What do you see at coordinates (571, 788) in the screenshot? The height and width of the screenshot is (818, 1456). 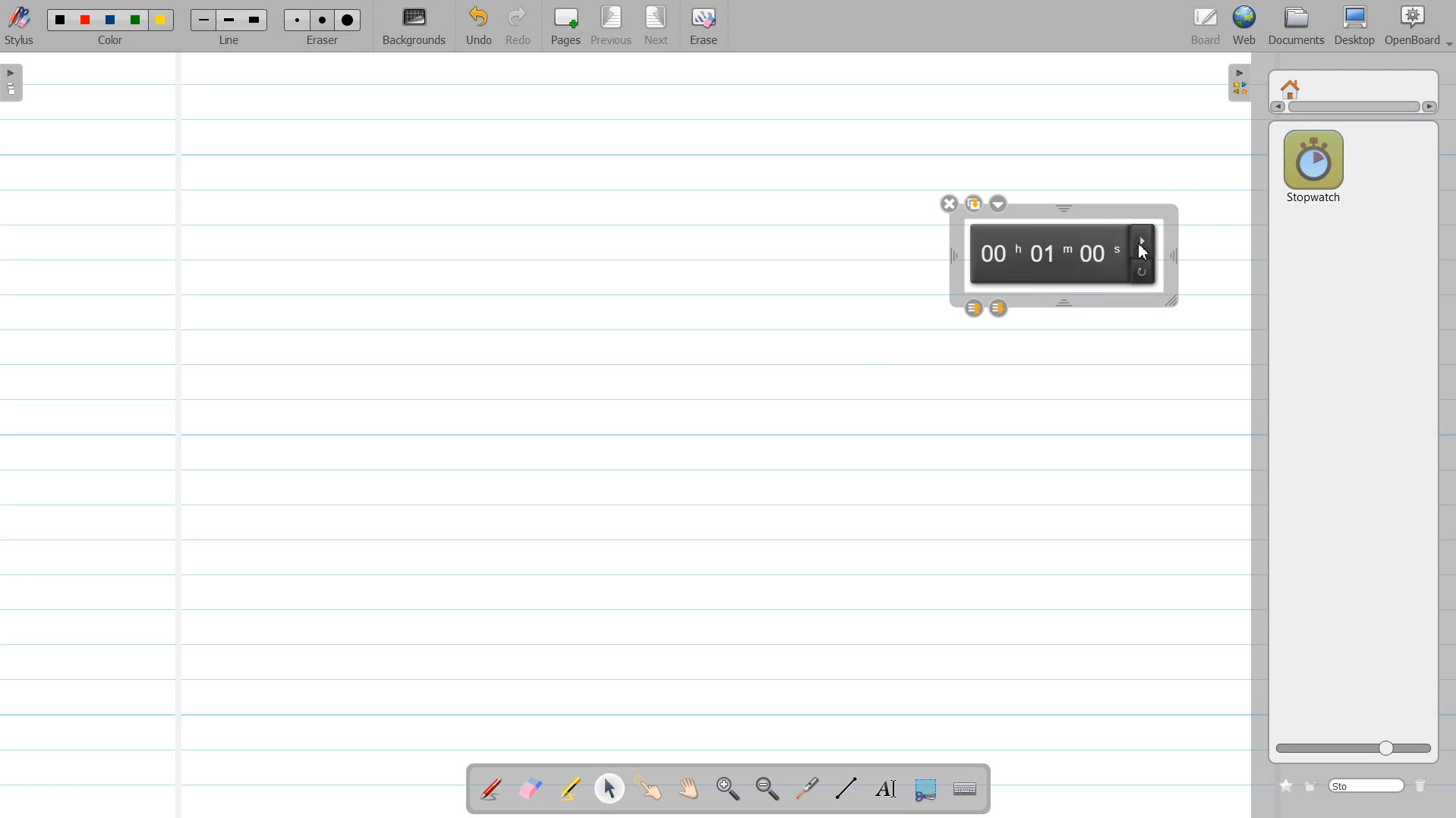 I see `Highlight` at bounding box center [571, 788].